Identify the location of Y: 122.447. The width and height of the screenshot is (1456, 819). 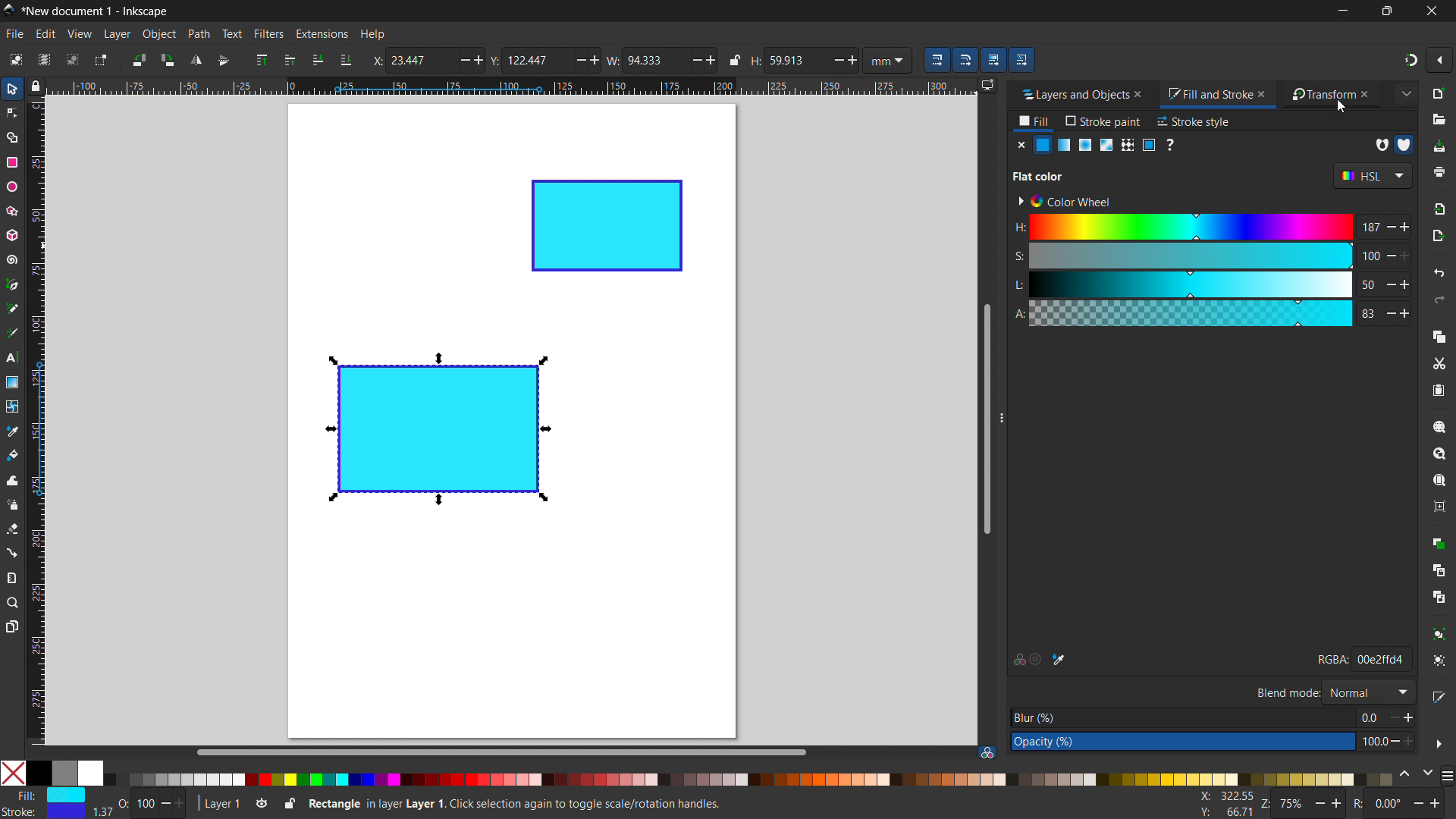
(526, 60).